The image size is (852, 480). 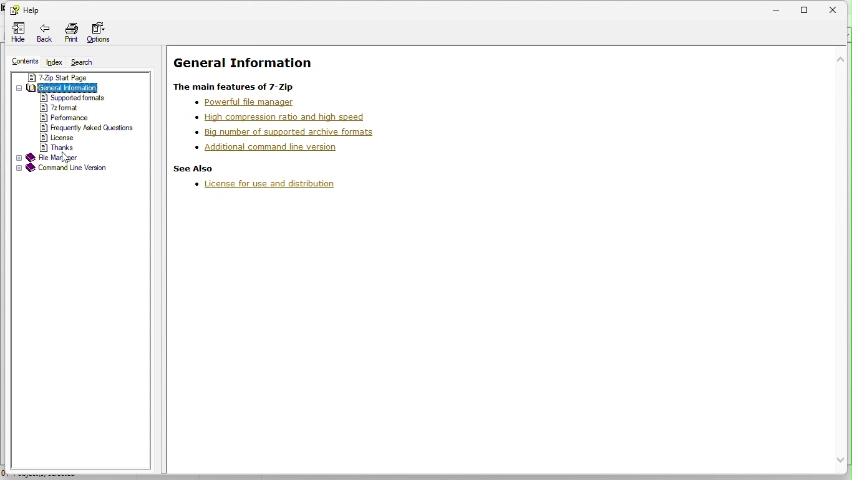 I want to click on Additional command line version, so click(x=267, y=147).